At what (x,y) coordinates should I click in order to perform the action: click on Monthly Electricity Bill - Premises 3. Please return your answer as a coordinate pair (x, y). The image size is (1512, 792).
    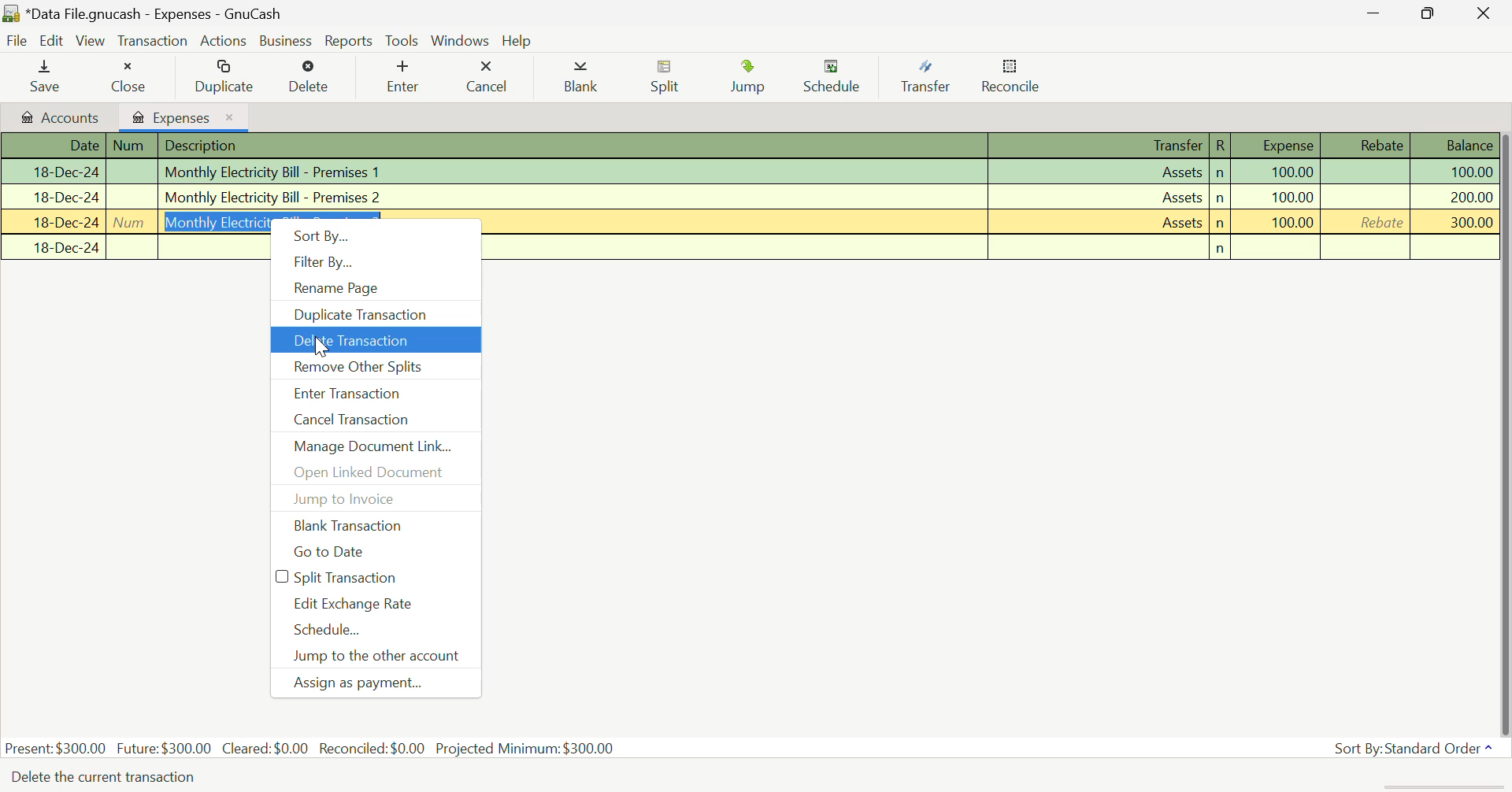
    Looking at the image, I should click on (134, 223).